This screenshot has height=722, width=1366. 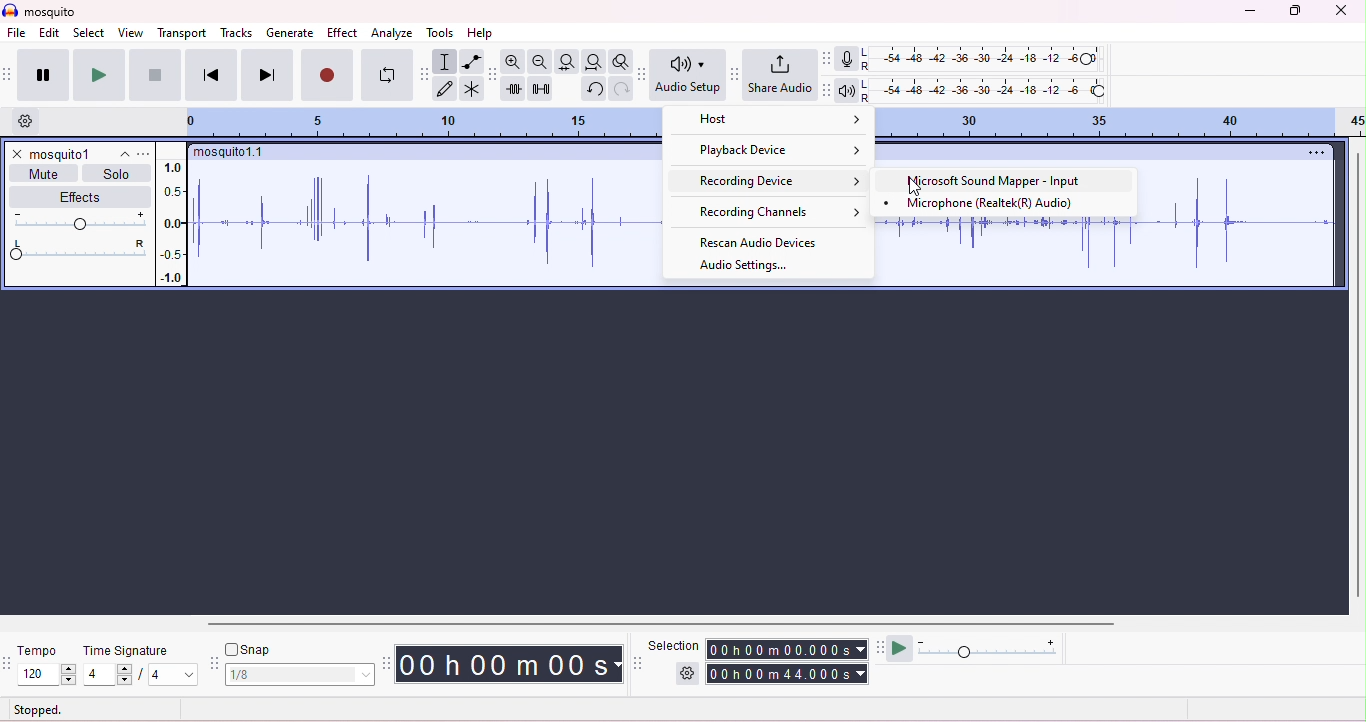 I want to click on playback level, so click(x=983, y=92).